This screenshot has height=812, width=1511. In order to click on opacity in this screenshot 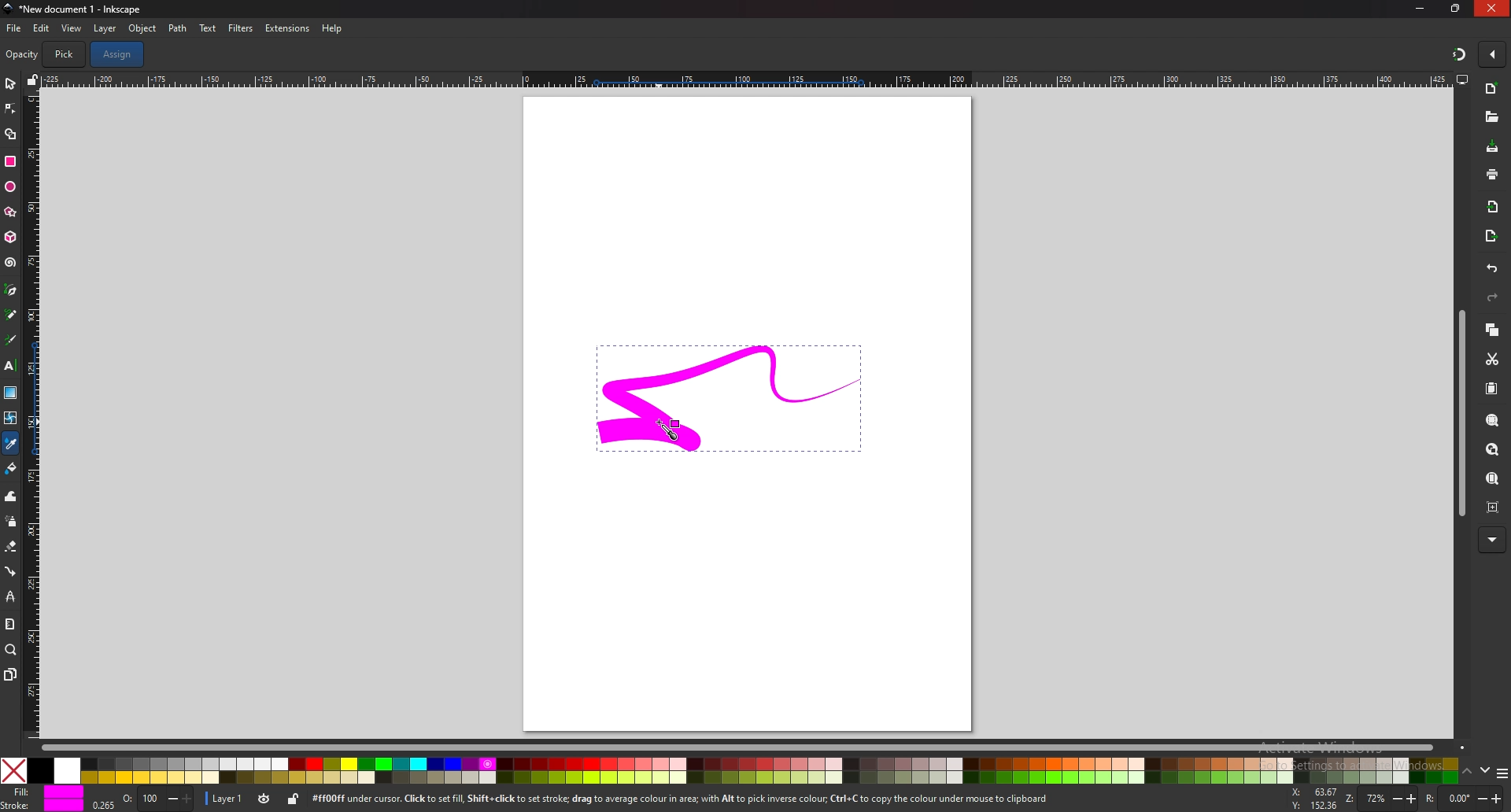, I will do `click(159, 798)`.